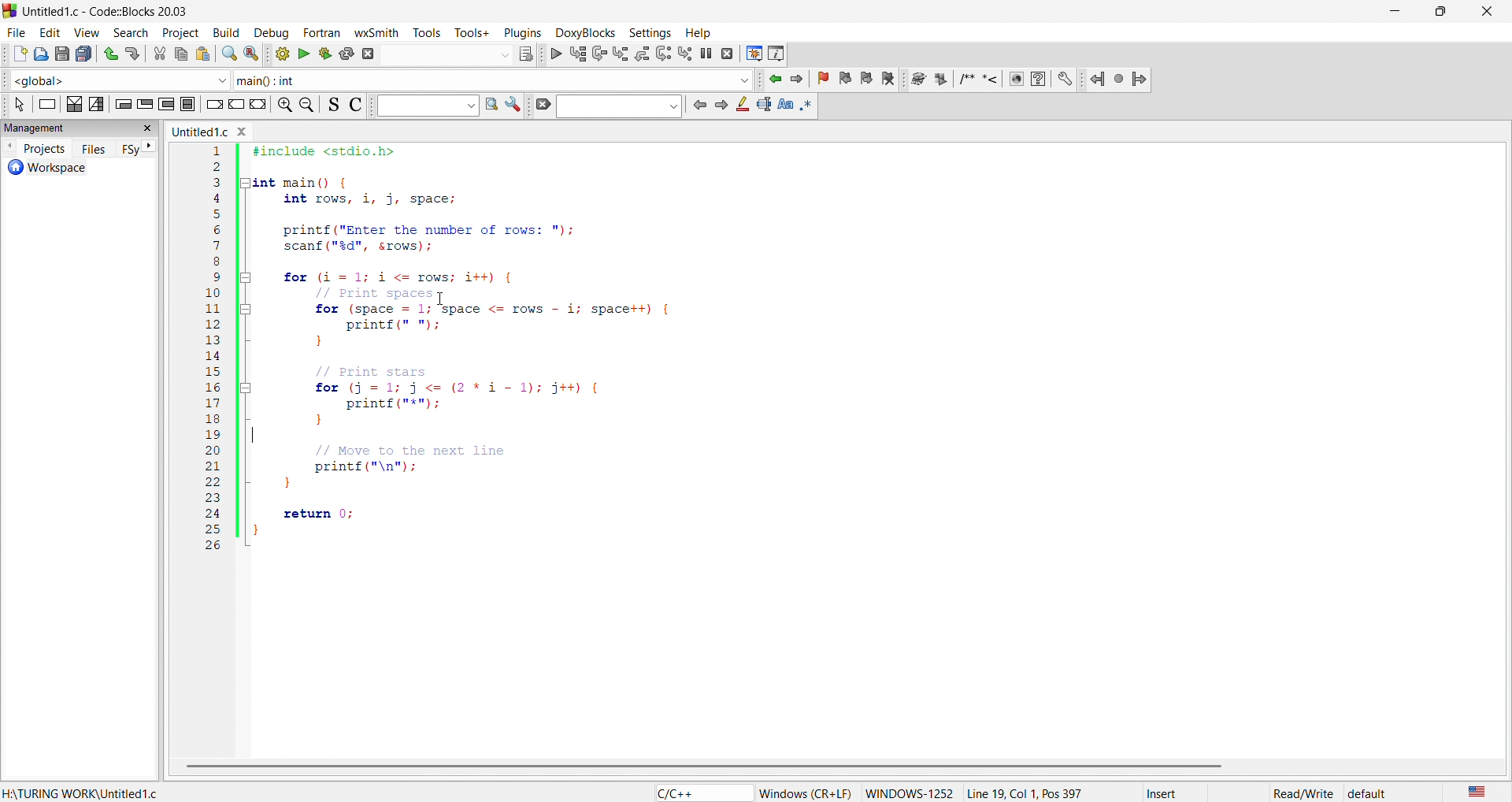  I want to click on Windows (CR+LF), so click(806, 793).